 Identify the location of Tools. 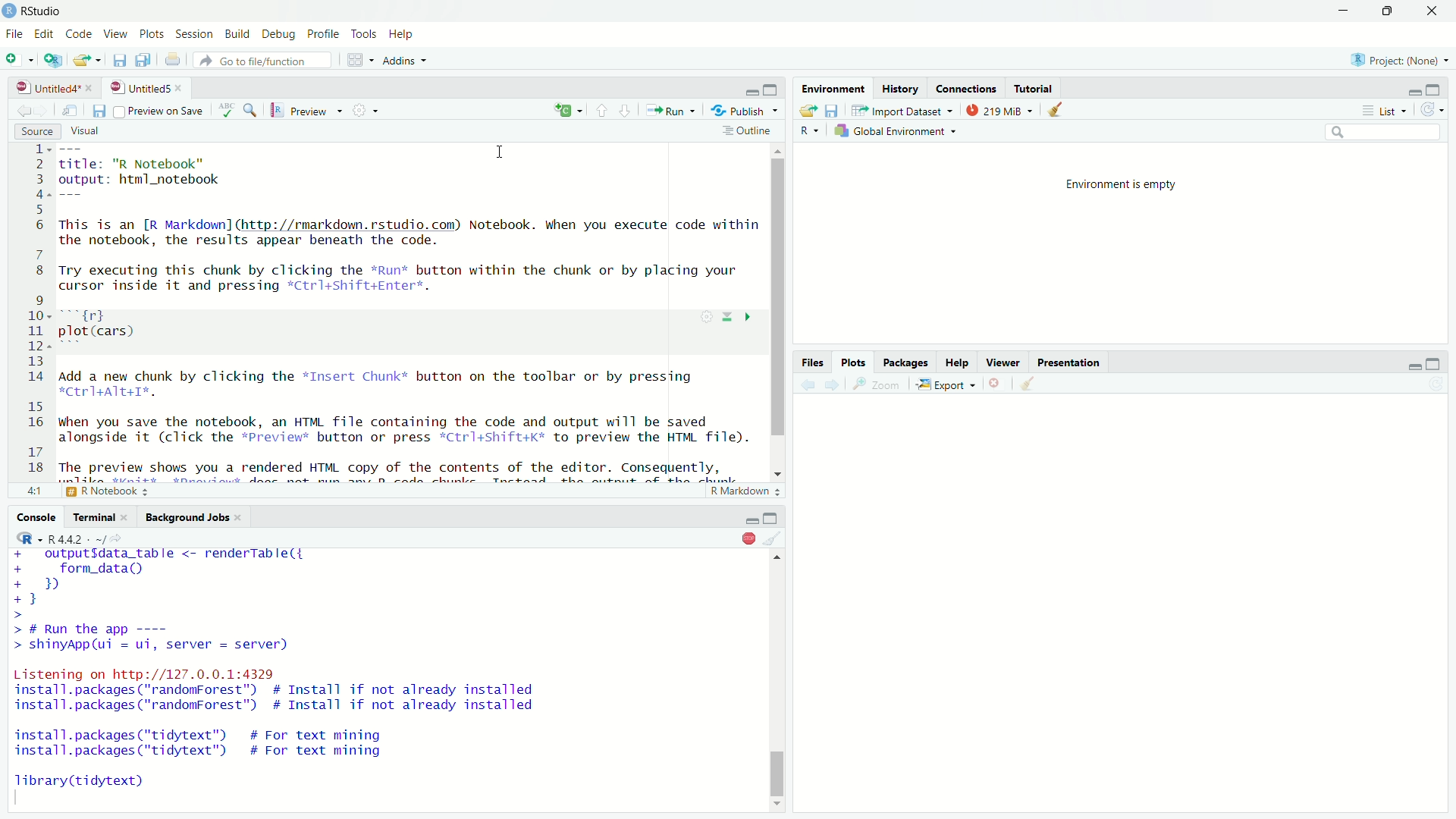
(362, 34).